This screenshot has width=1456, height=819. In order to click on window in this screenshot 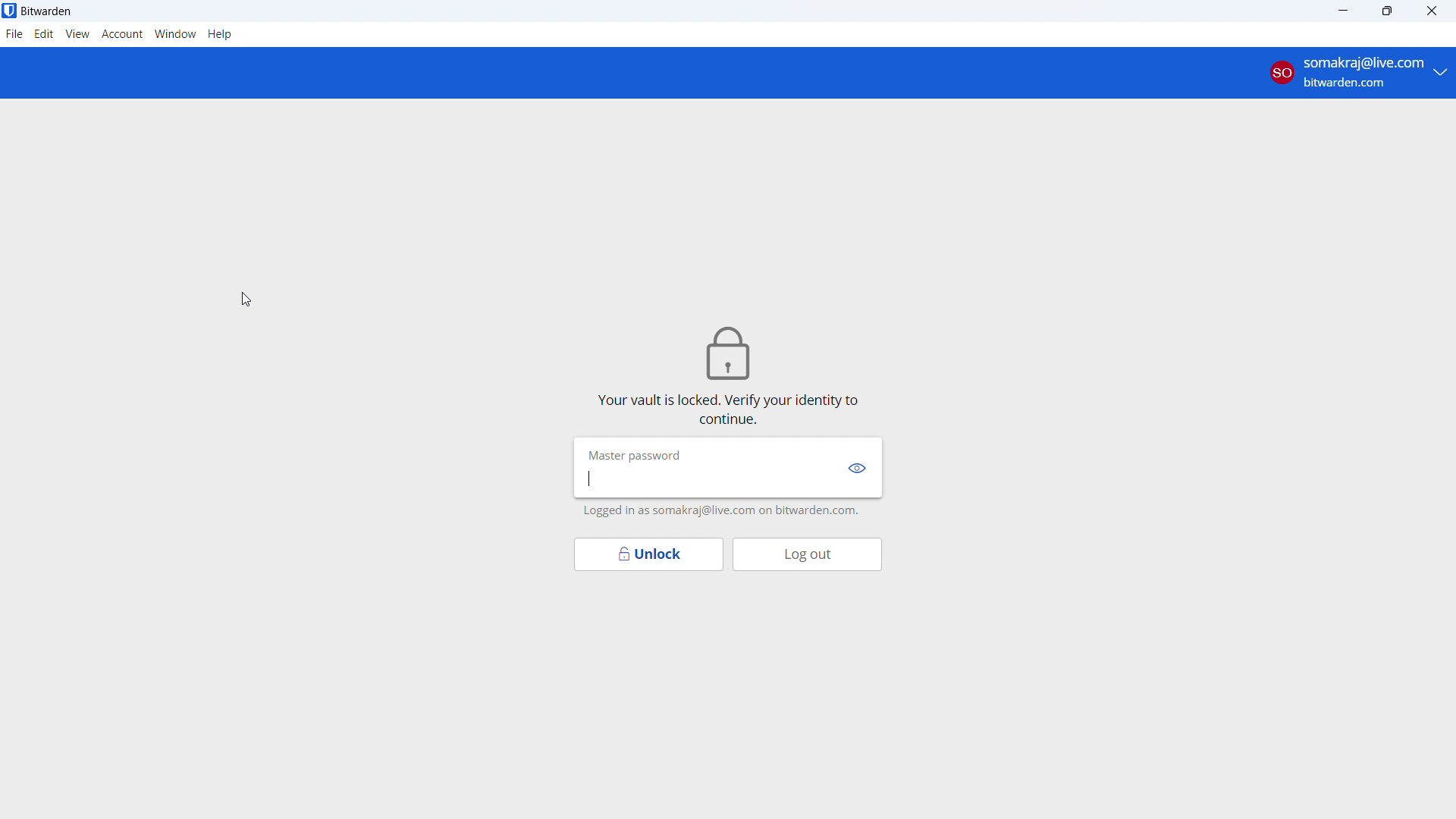, I will do `click(176, 34)`.